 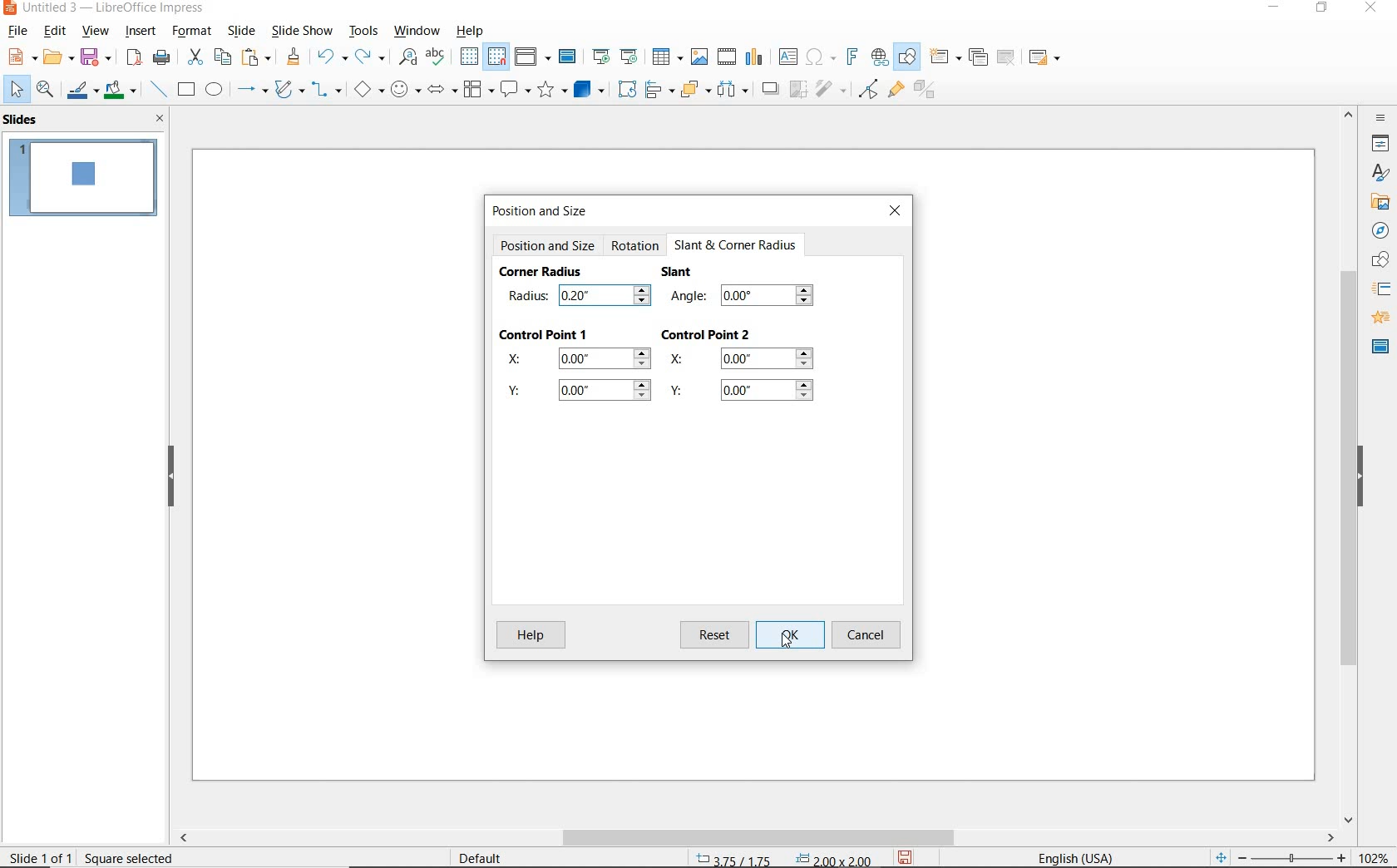 I want to click on show draw functions, so click(x=909, y=57).